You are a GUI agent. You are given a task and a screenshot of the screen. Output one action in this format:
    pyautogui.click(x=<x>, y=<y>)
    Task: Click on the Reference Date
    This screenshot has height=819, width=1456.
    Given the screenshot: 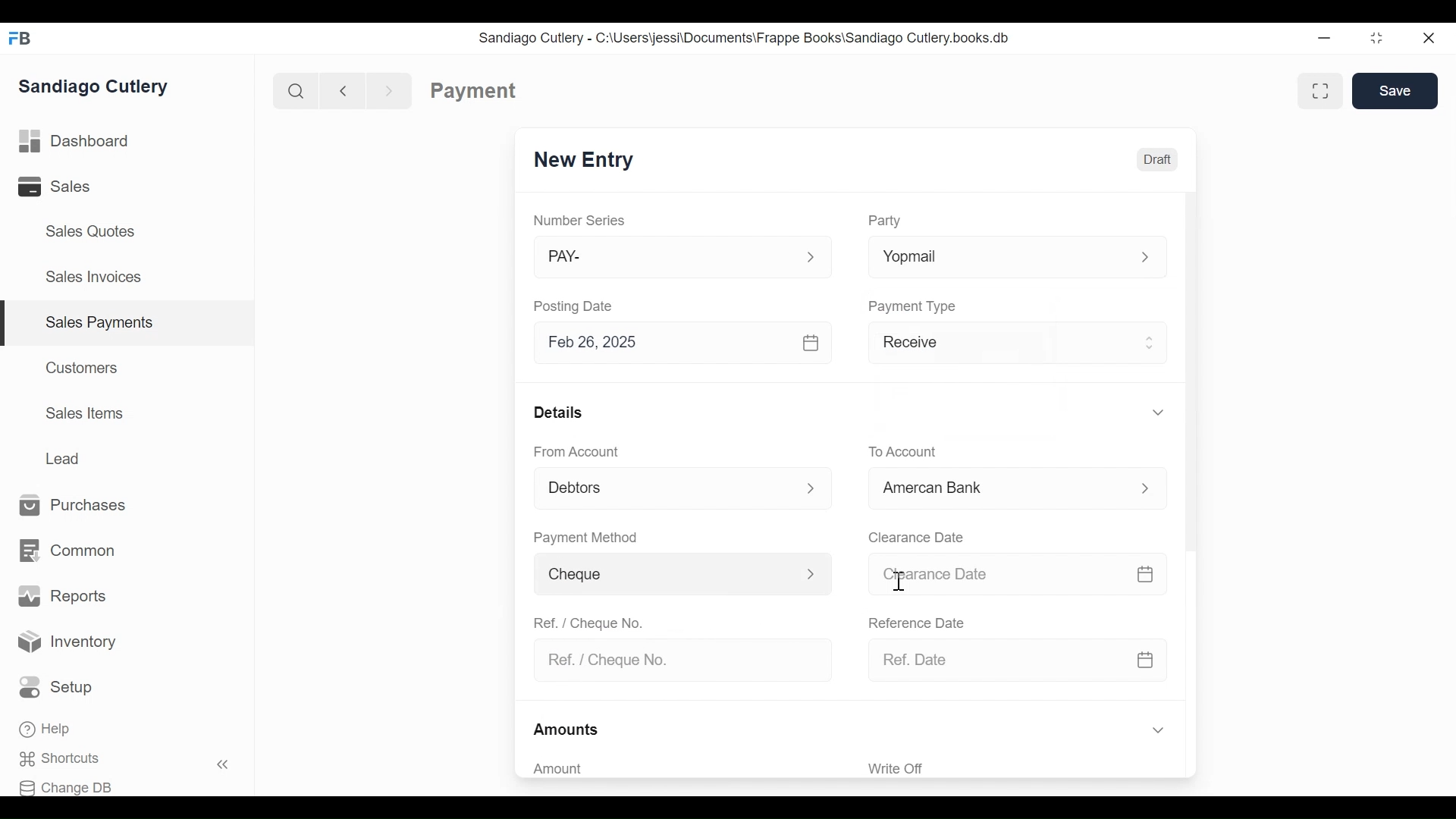 What is the action you would take?
    pyautogui.click(x=915, y=621)
    